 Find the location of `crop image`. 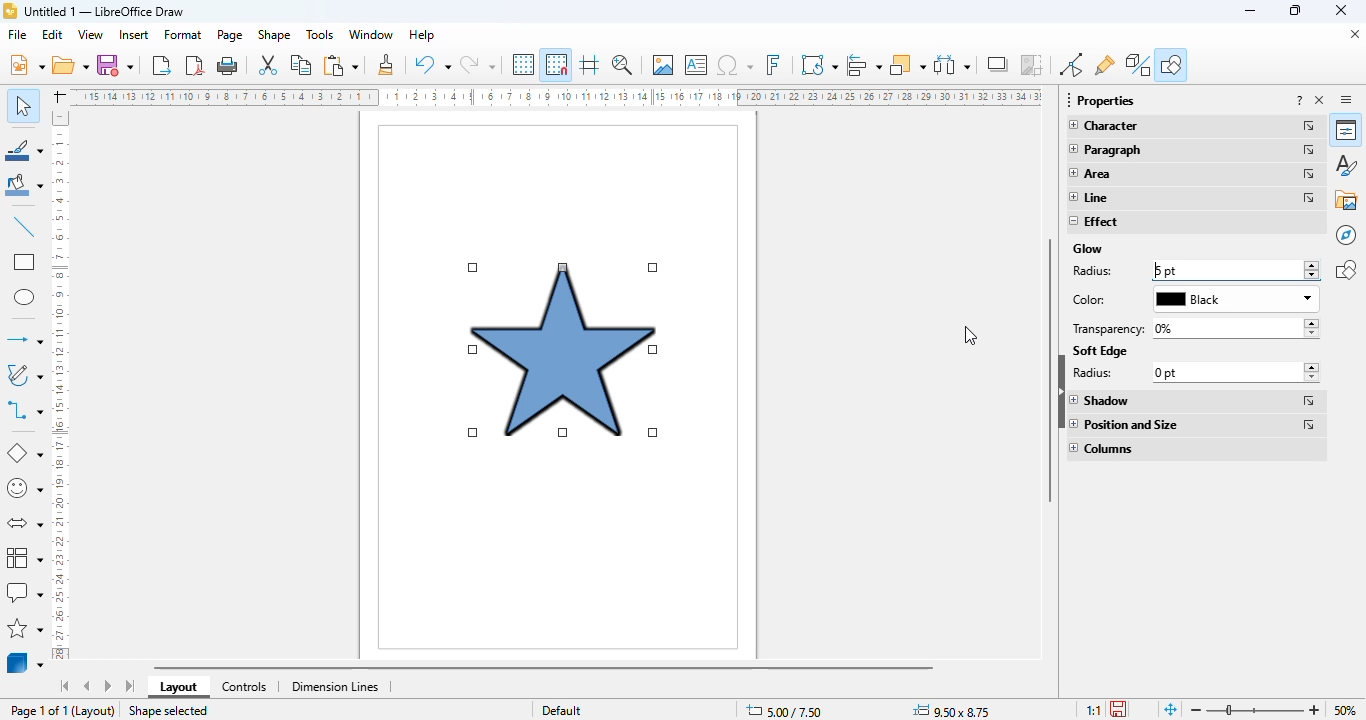

crop image is located at coordinates (1032, 64).